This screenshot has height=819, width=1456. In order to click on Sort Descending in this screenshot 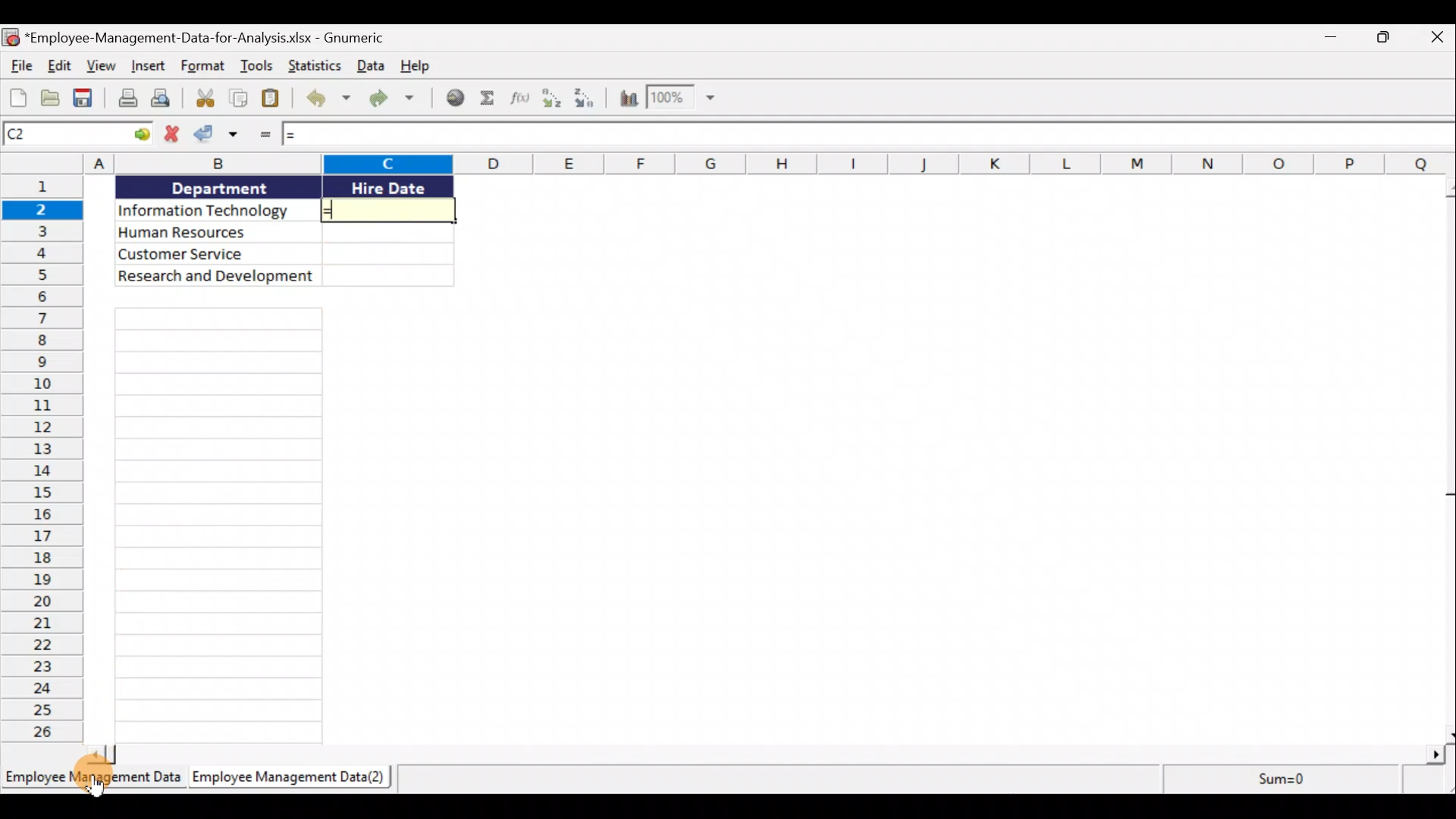, I will do `click(589, 99)`.